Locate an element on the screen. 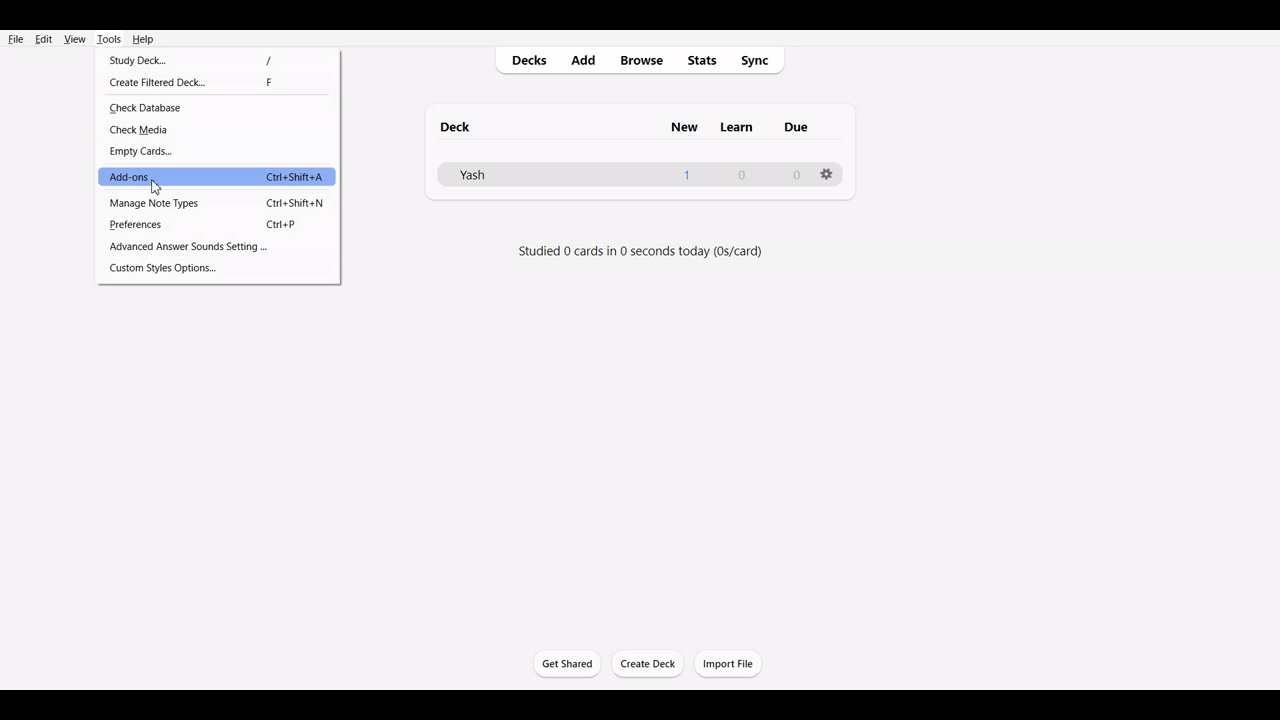 The width and height of the screenshot is (1280, 720). Deck File is located at coordinates (504, 174).